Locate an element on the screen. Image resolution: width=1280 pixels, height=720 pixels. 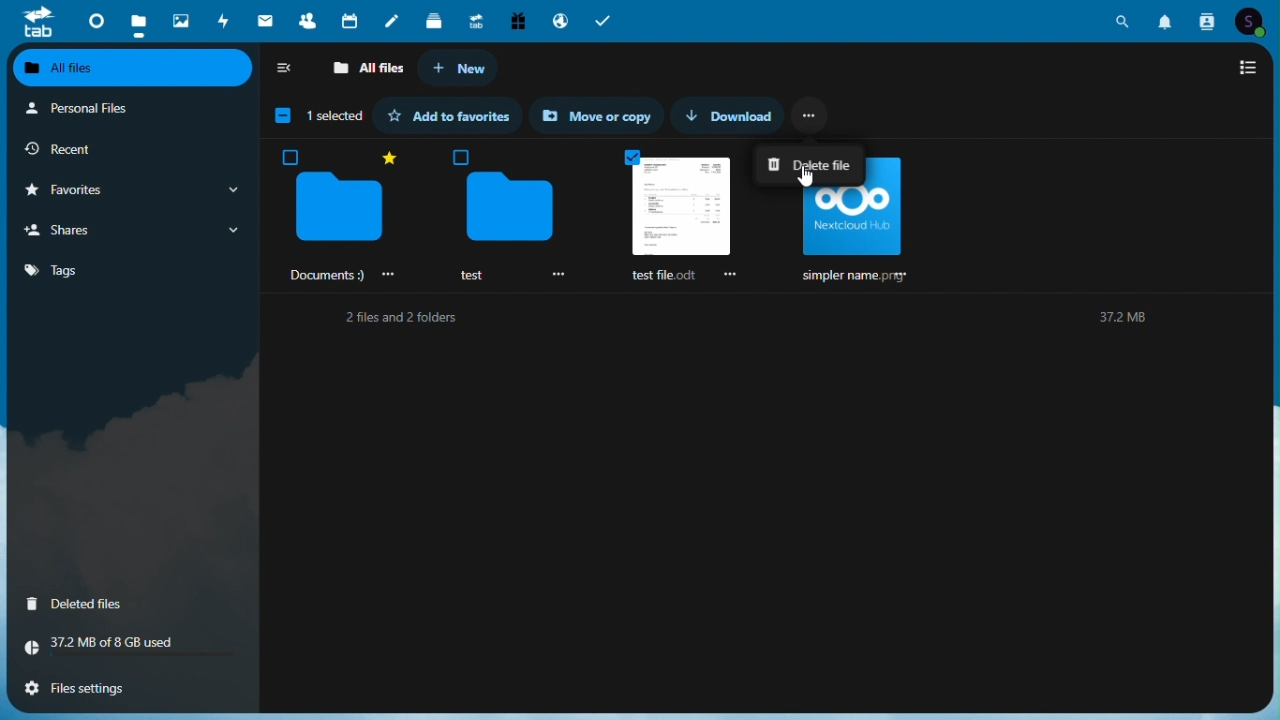
Contacts is located at coordinates (305, 19).